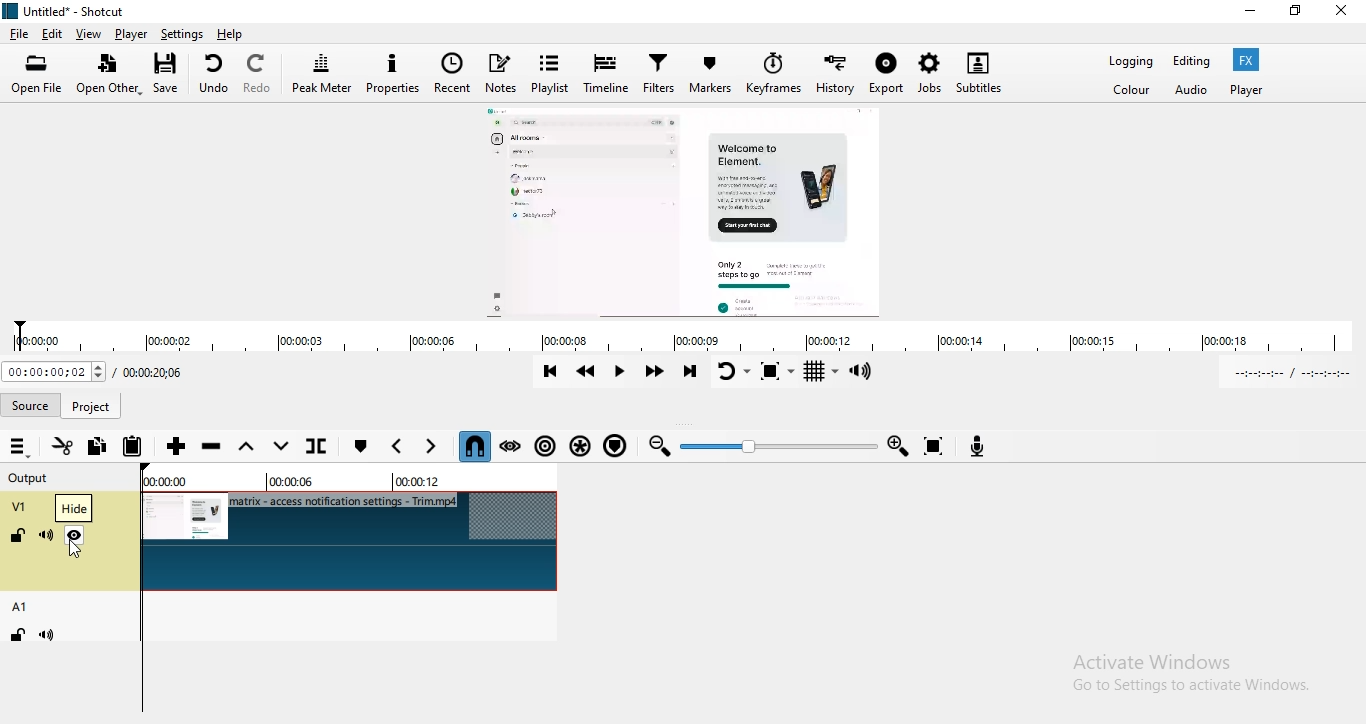 The height and width of the screenshot is (724, 1366). I want to click on Source , so click(93, 403).